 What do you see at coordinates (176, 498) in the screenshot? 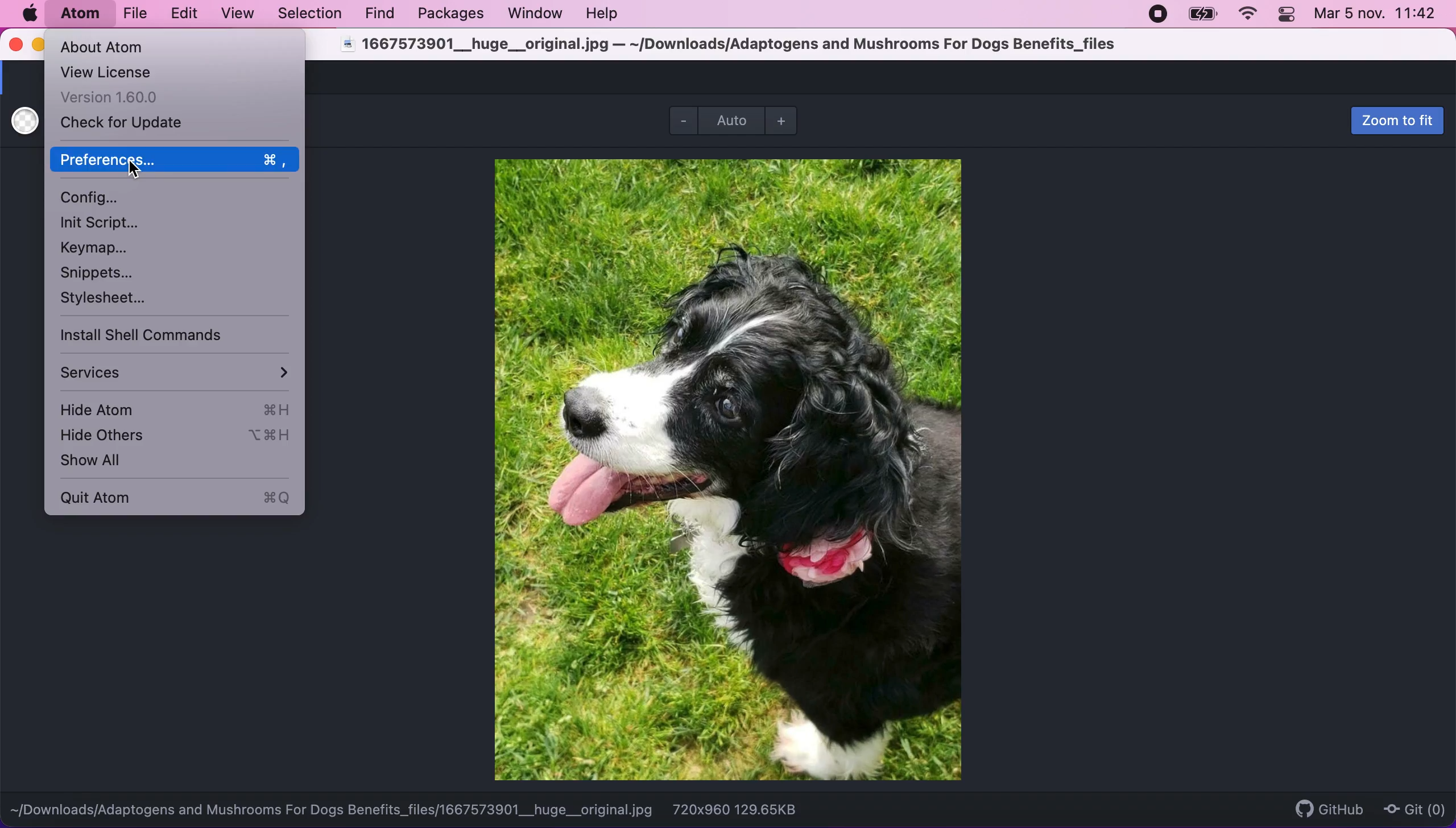
I see `quit atom` at bounding box center [176, 498].